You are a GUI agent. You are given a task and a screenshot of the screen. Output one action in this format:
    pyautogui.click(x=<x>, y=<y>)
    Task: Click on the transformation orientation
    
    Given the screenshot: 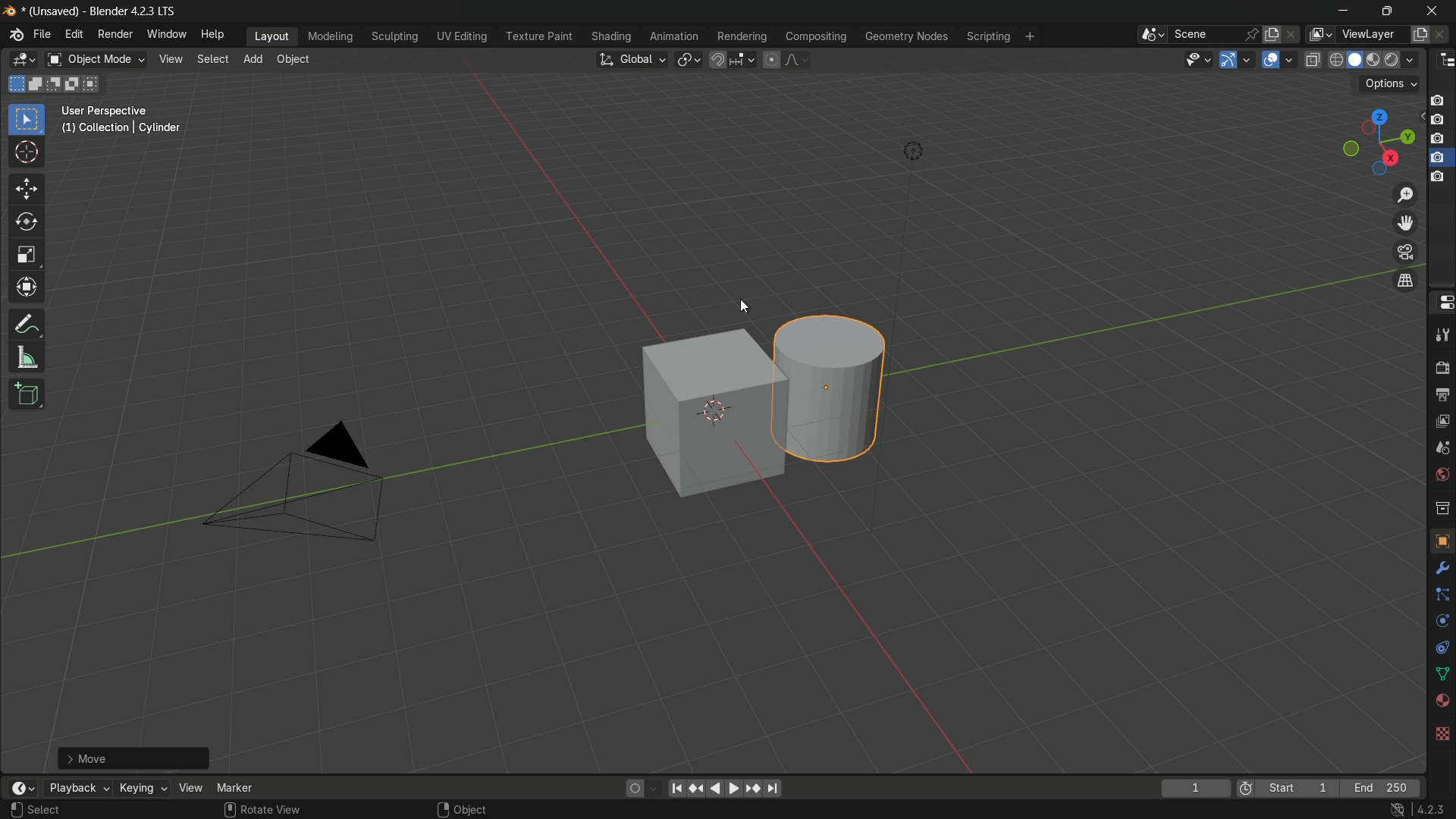 What is the action you would take?
    pyautogui.click(x=632, y=59)
    